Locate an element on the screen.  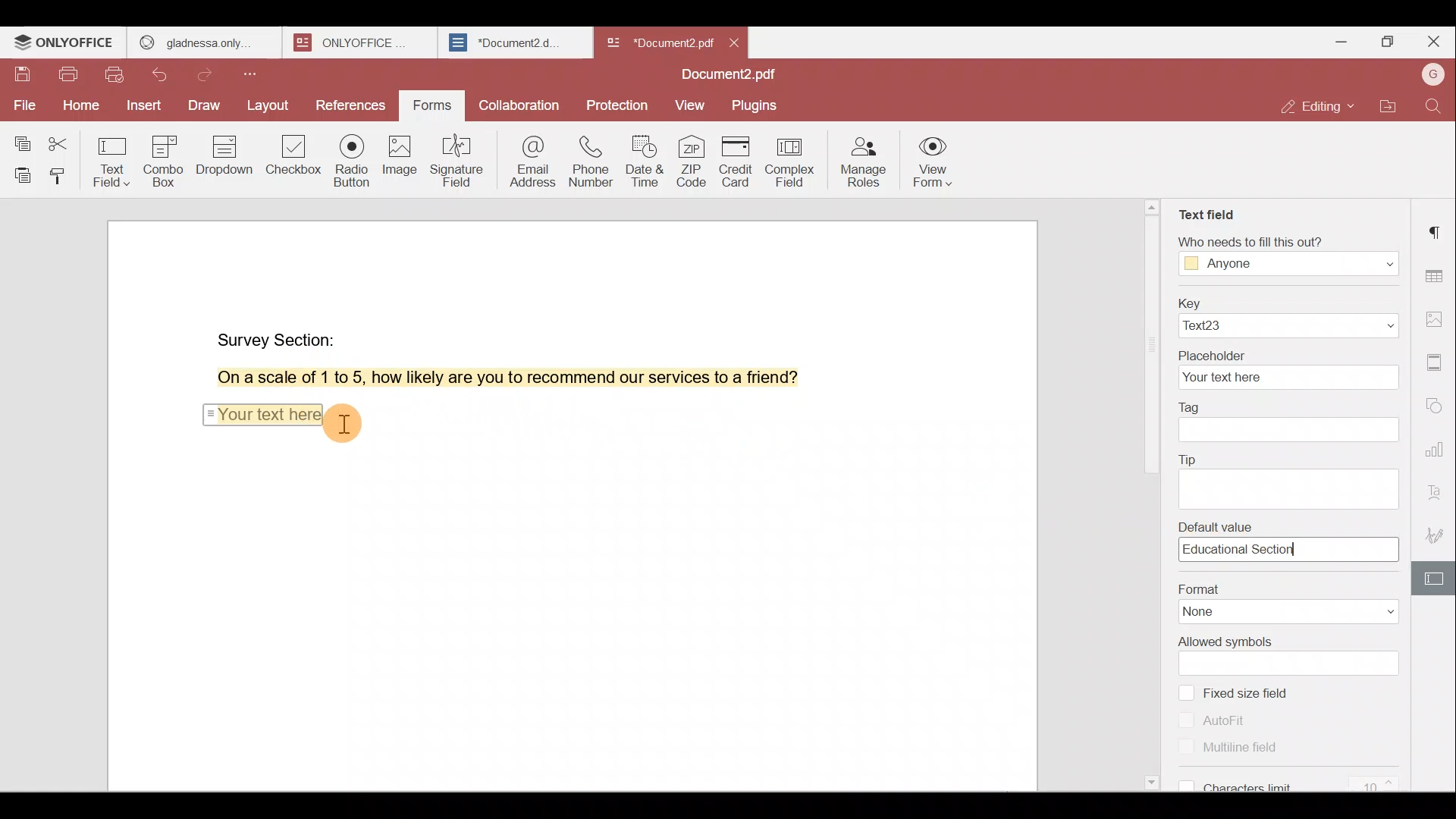
References is located at coordinates (352, 107).